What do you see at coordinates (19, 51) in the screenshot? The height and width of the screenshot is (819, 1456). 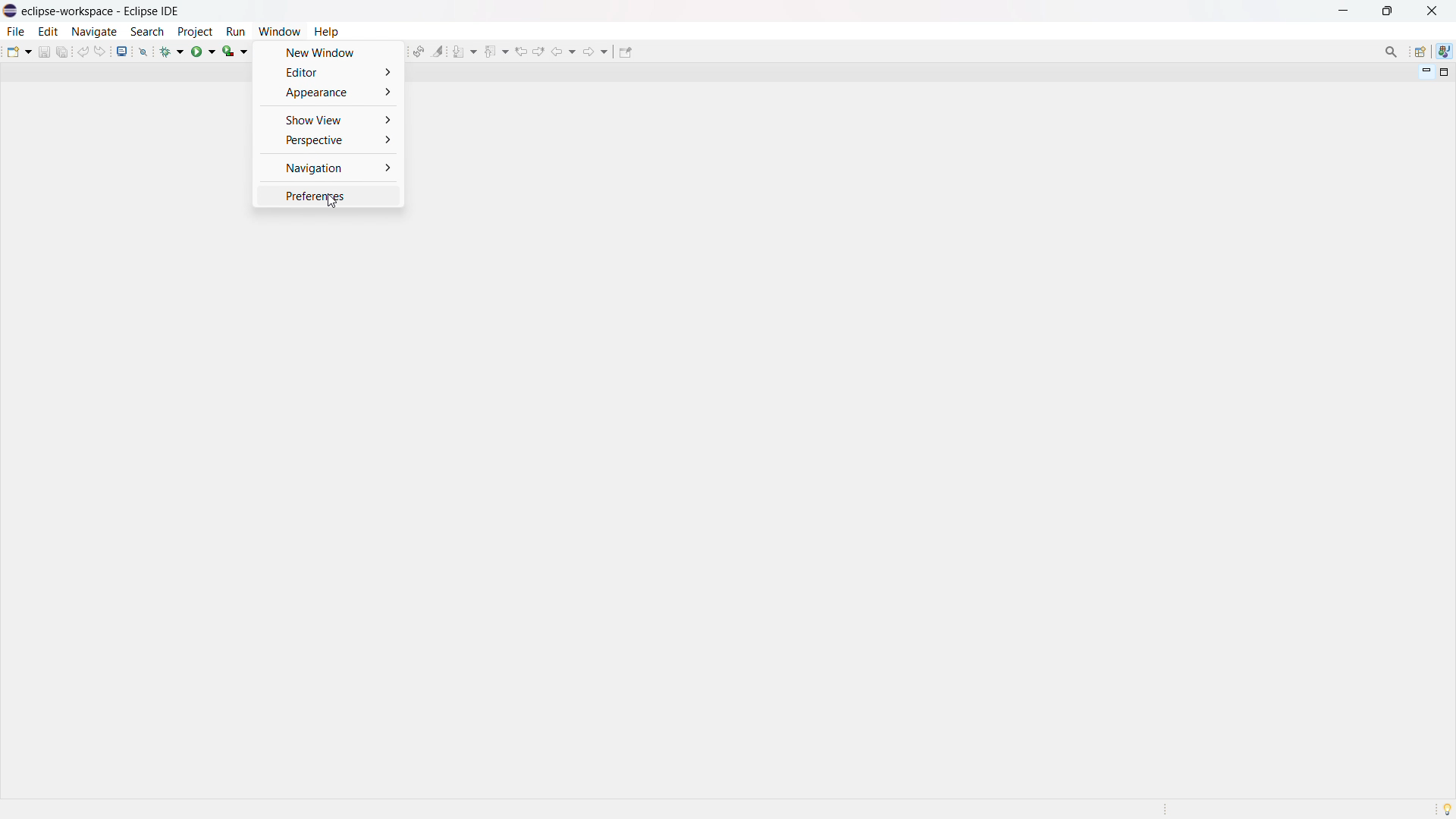 I see `new` at bounding box center [19, 51].